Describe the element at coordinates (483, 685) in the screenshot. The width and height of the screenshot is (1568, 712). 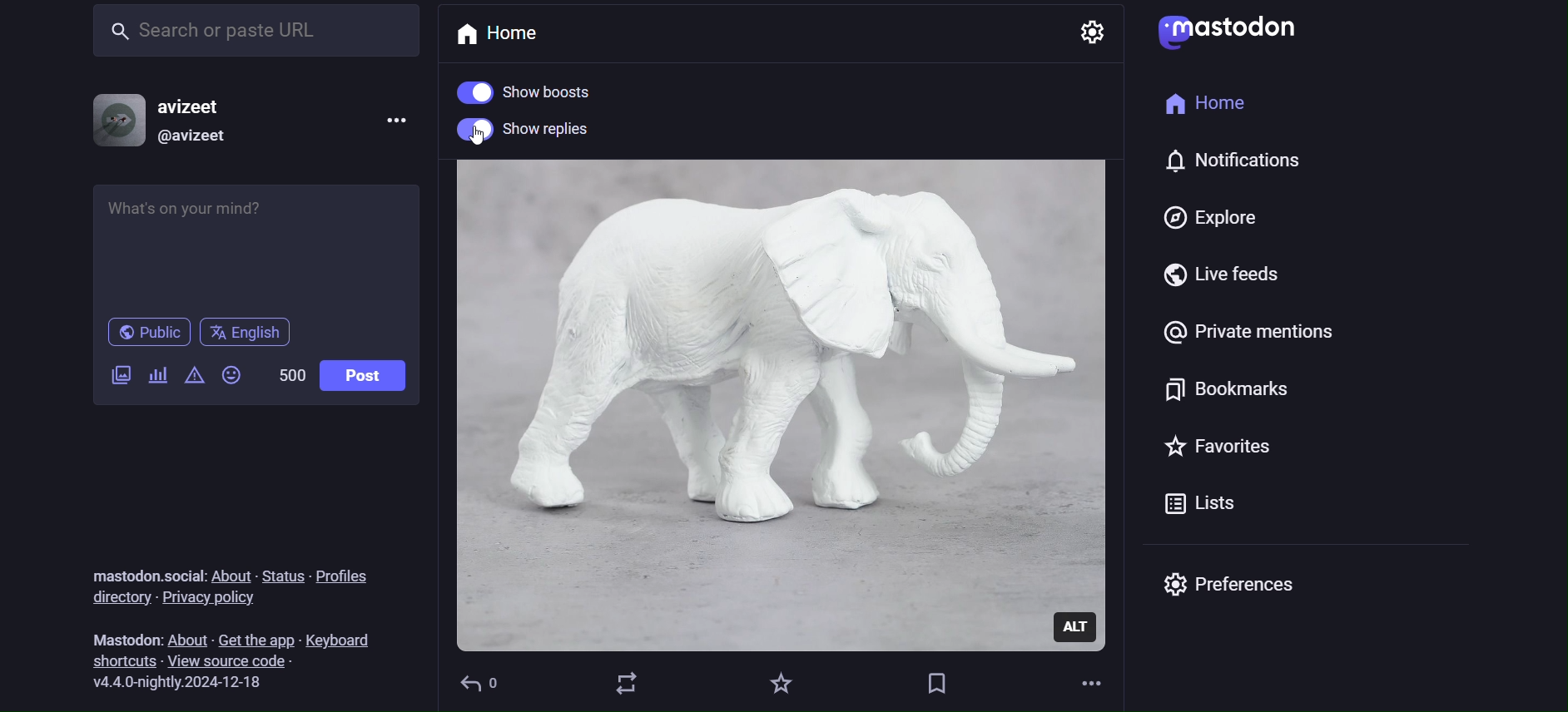
I see `reply` at that location.